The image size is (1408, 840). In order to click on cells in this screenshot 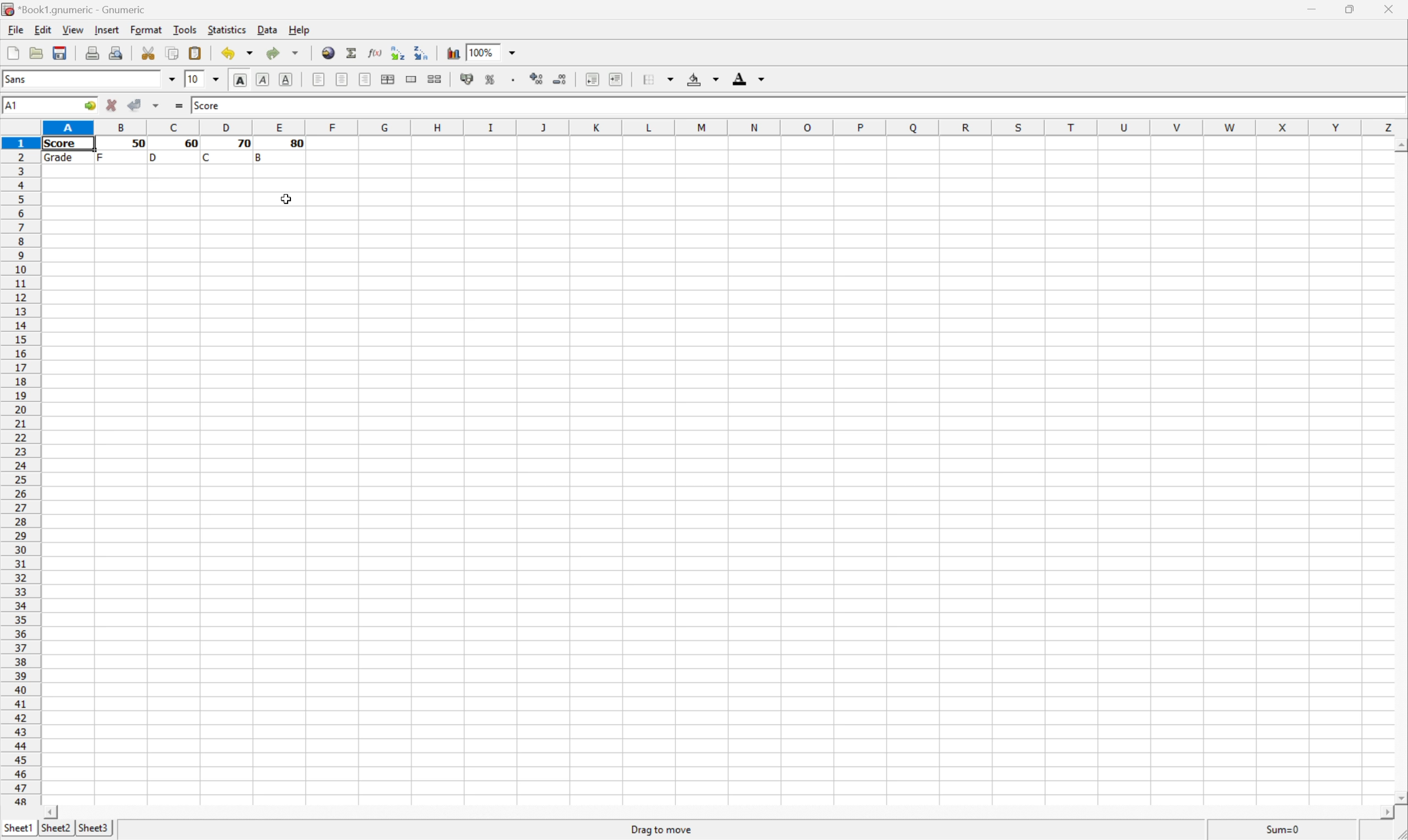, I will do `click(718, 485)`.